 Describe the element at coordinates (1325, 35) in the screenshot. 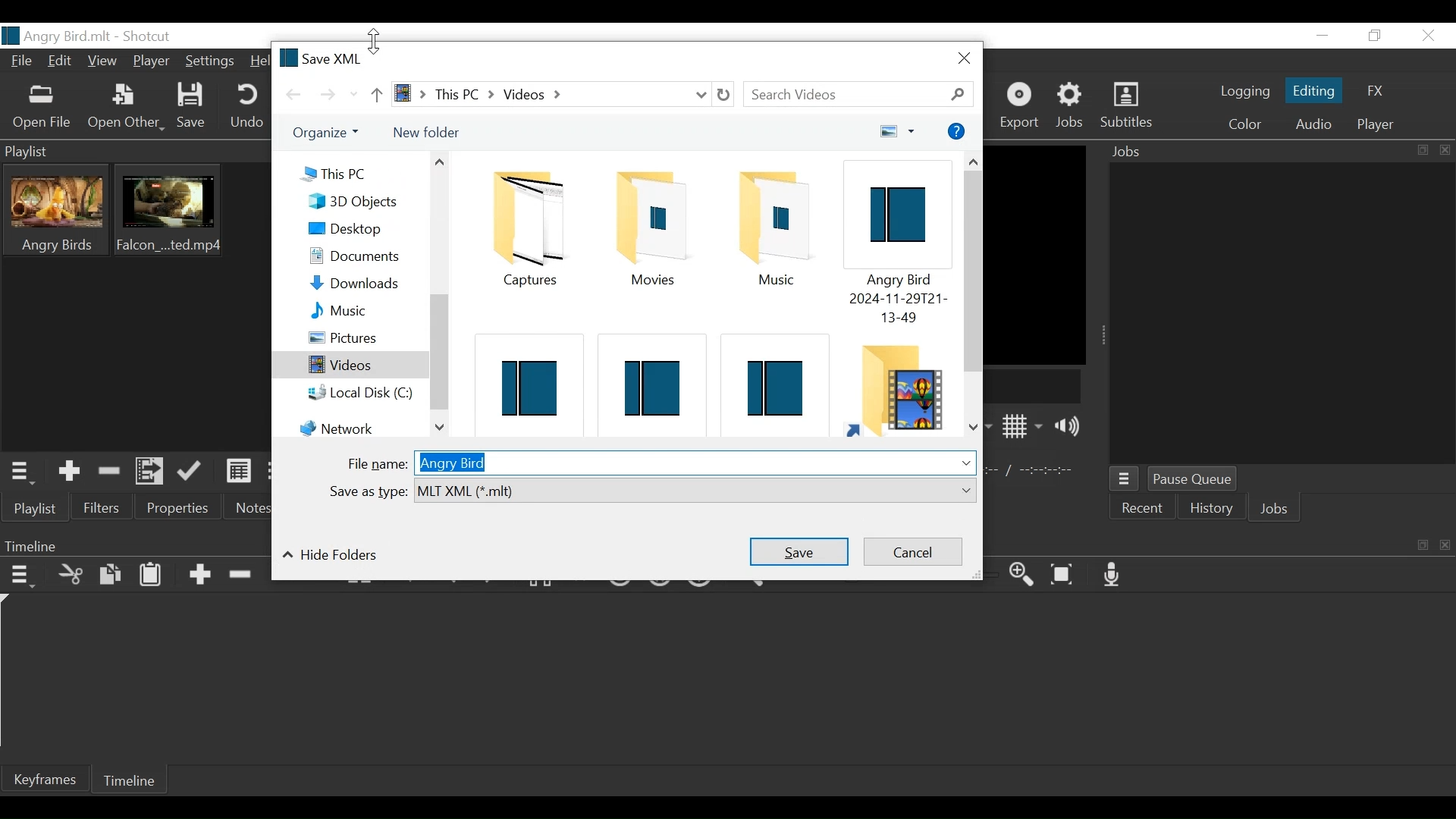

I see `minimize` at that location.